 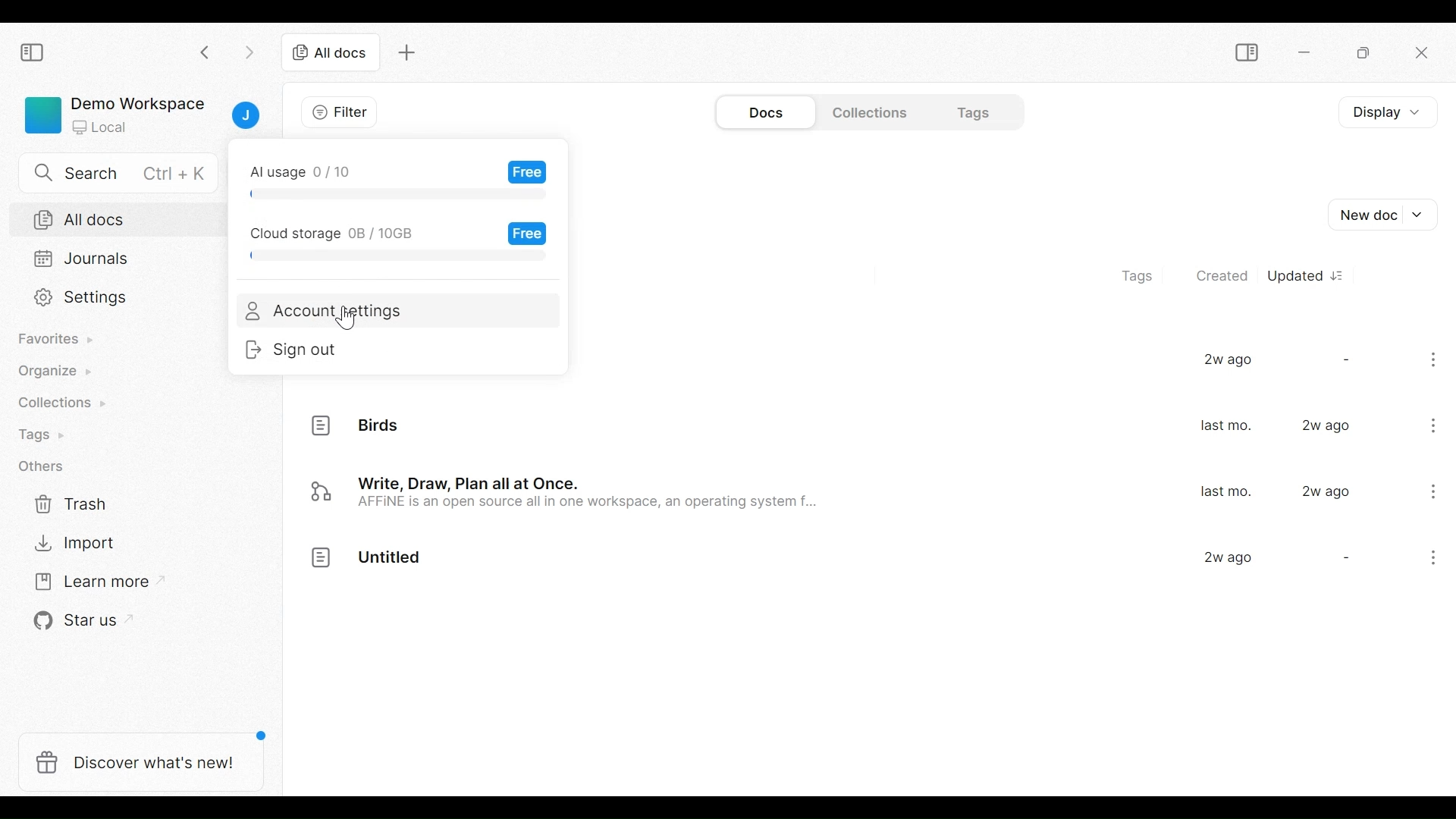 What do you see at coordinates (1228, 361) in the screenshot?
I see `2w ago` at bounding box center [1228, 361].